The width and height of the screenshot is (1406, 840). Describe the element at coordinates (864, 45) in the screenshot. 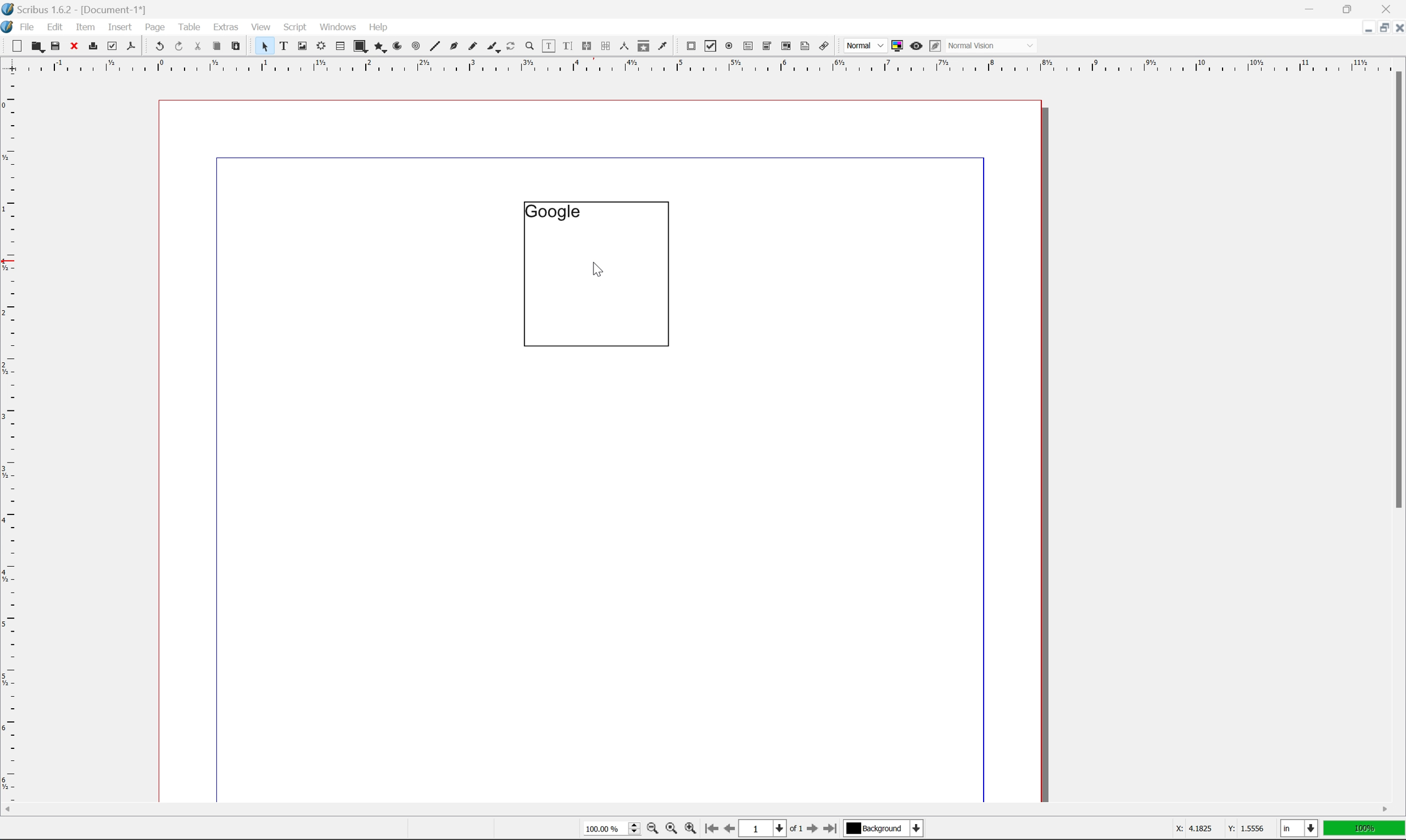

I see `normal` at that location.